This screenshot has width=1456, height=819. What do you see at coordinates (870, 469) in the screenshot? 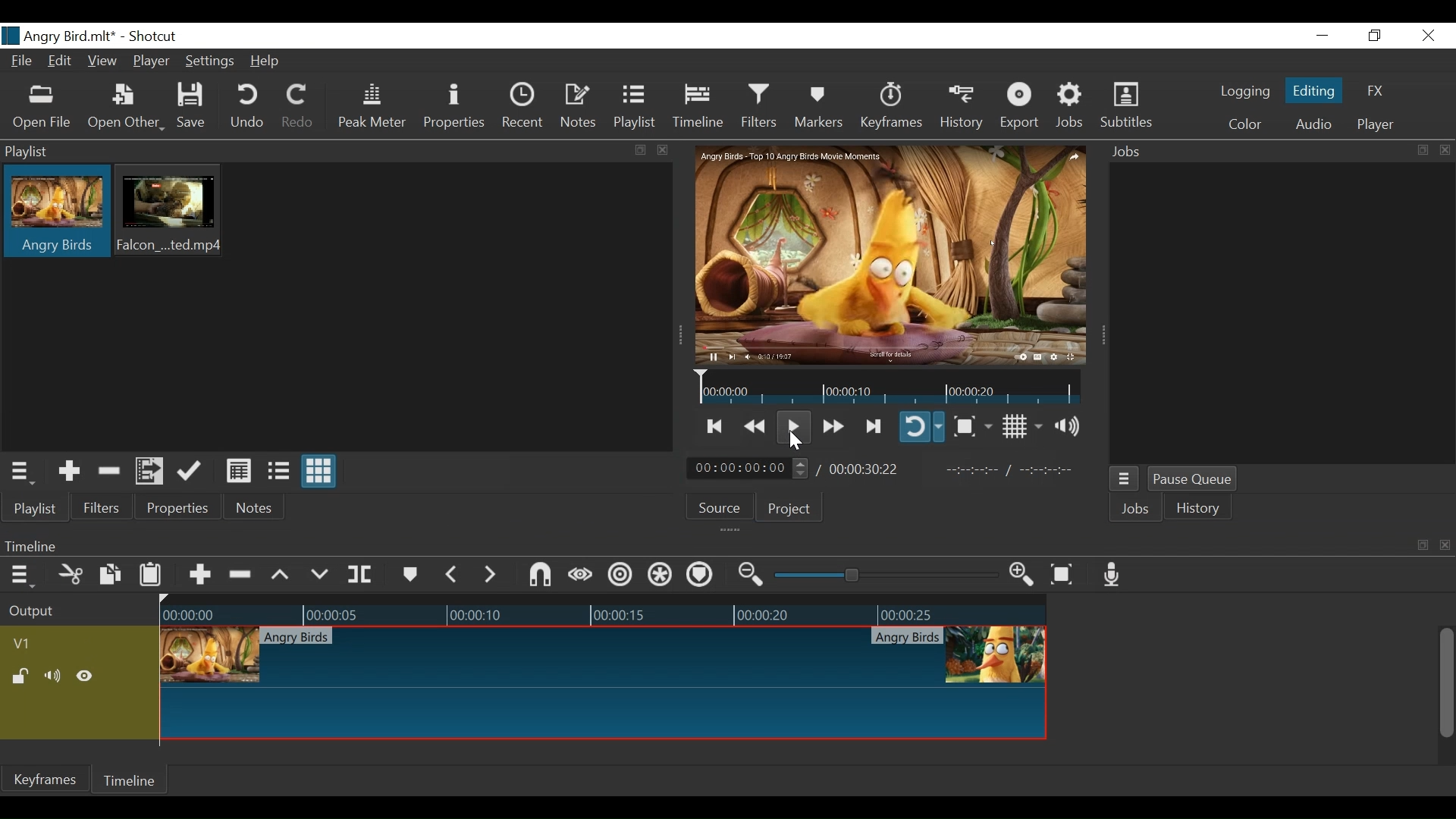
I see `Total Duration` at bounding box center [870, 469].